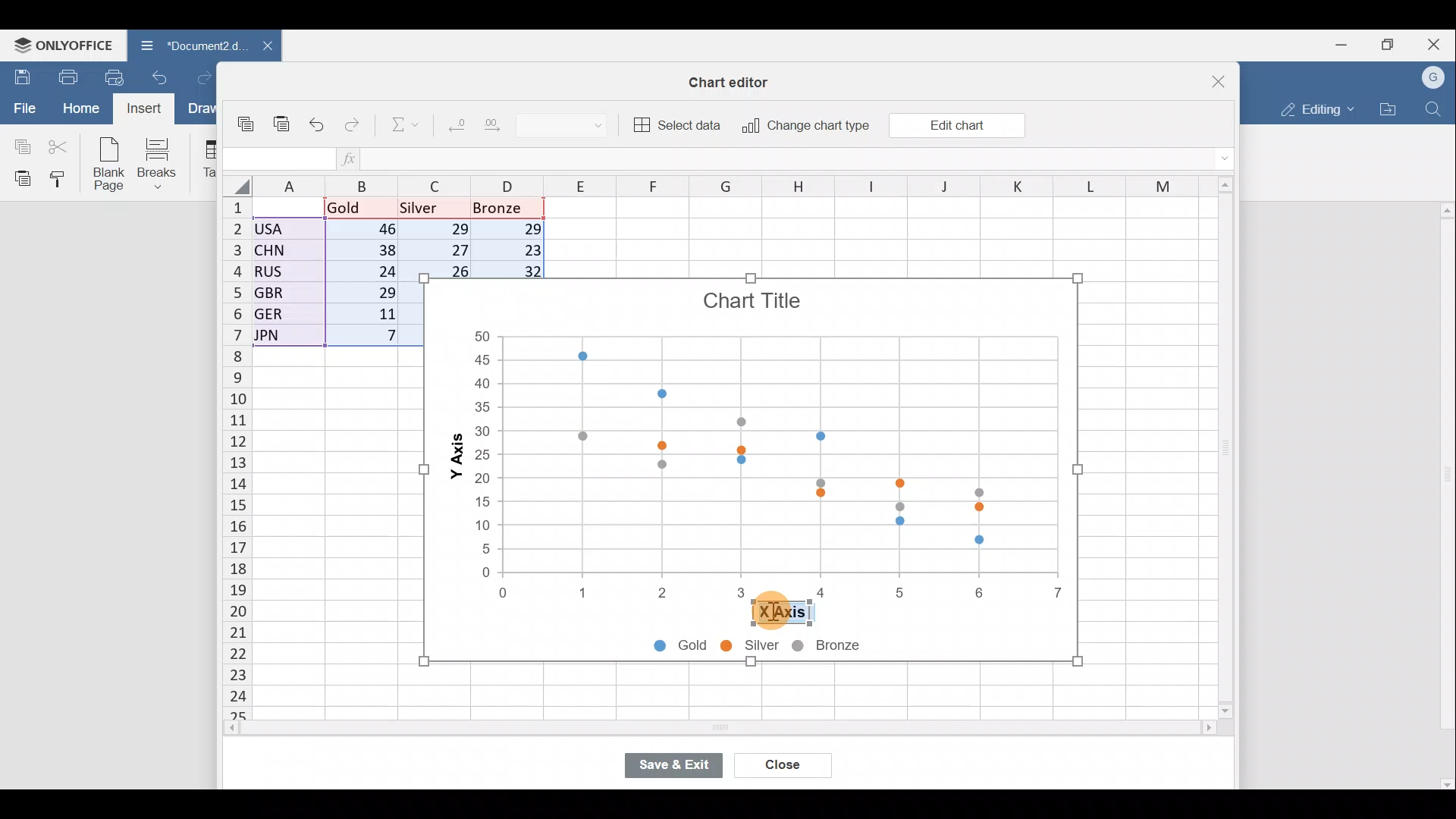  I want to click on Close, so click(1209, 76).